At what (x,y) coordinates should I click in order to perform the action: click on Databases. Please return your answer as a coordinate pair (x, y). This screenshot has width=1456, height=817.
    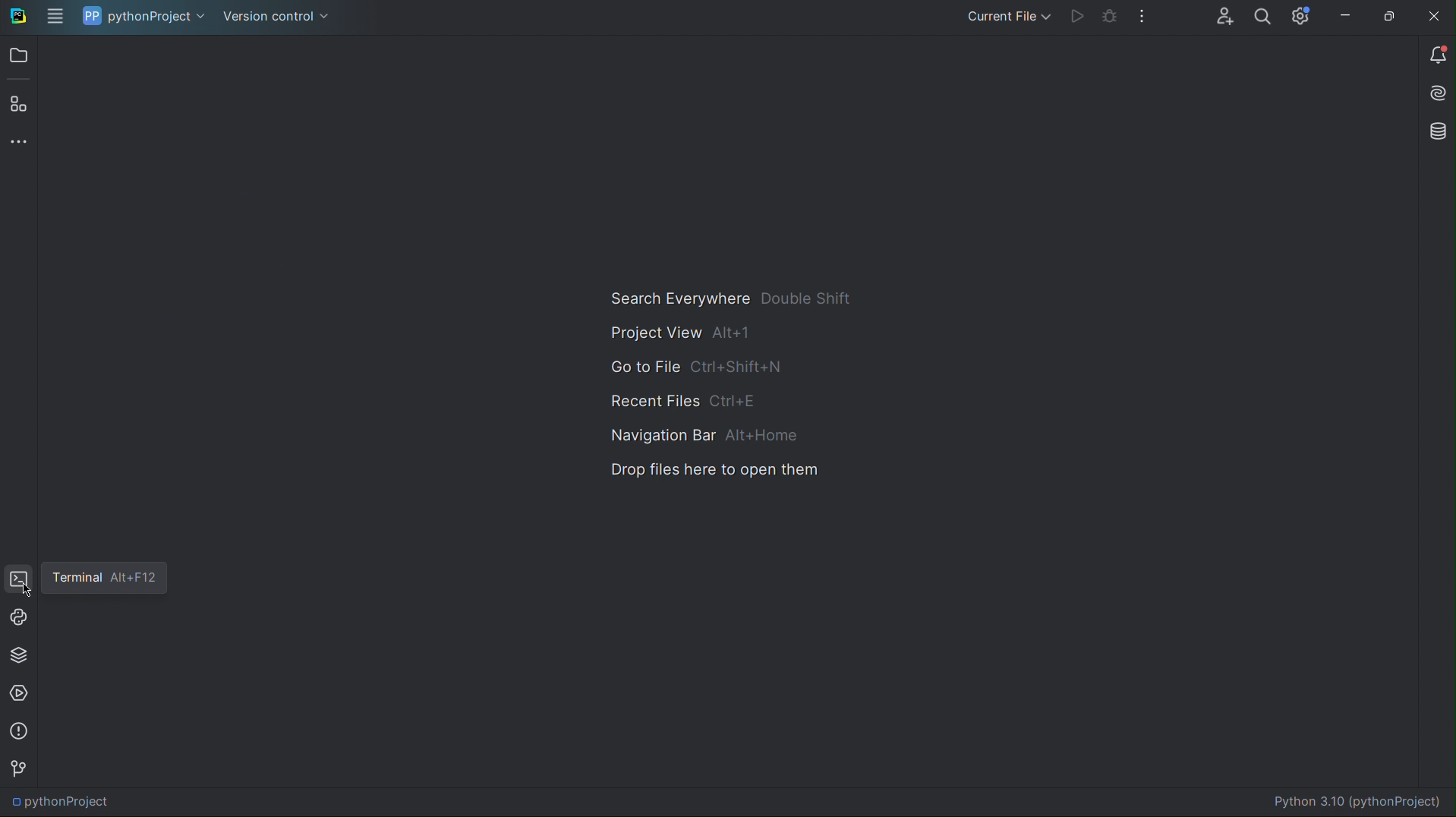
    Looking at the image, I should click on (1435, 133).